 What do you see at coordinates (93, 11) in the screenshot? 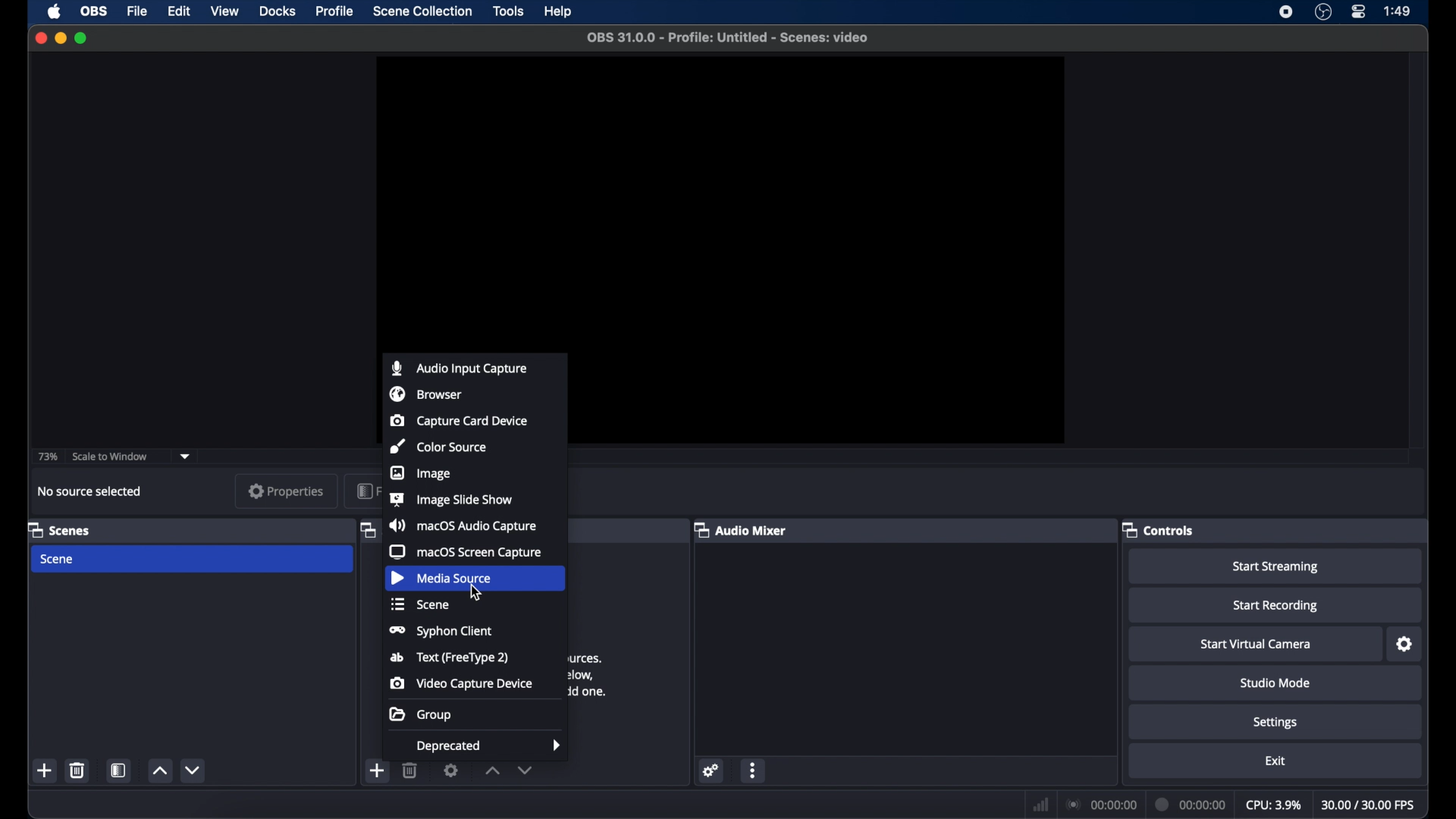
I see `obs` at bounding box center [93, 11].